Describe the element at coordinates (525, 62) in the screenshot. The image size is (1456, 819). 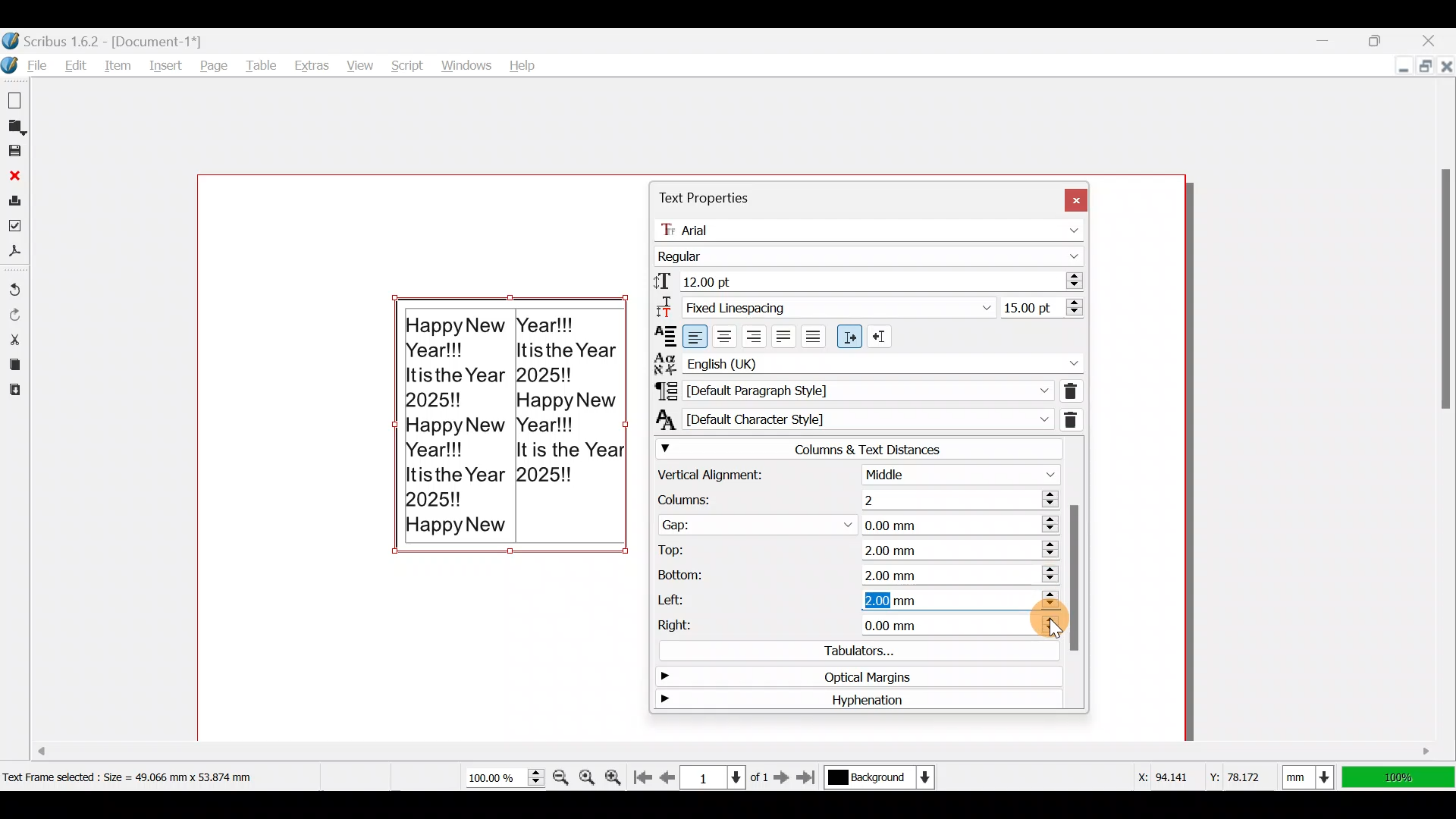
I see `Help` at that location.